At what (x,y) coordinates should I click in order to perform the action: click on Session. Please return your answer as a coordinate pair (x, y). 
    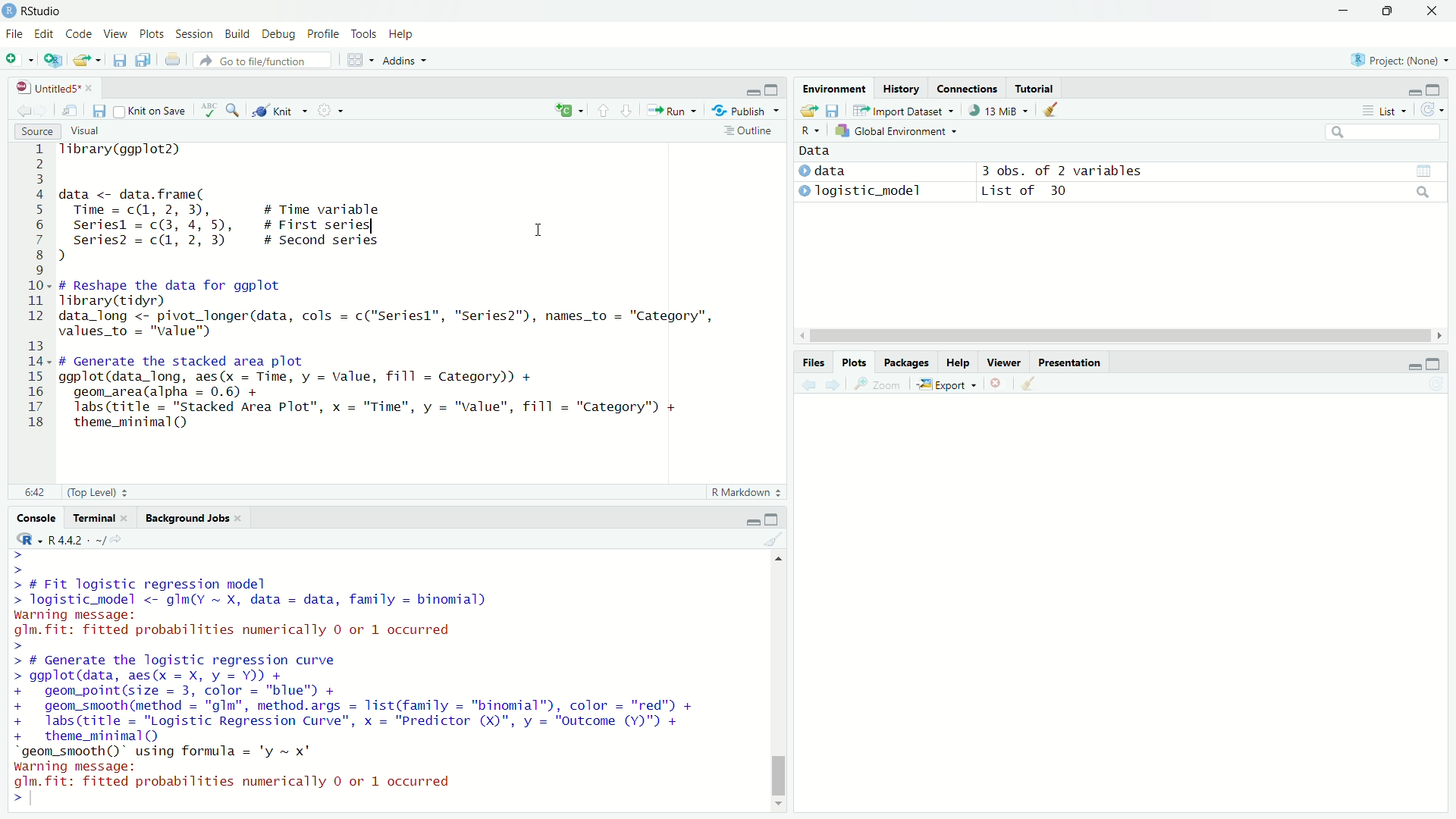
    Looking at the image, I should click on (193, 34).